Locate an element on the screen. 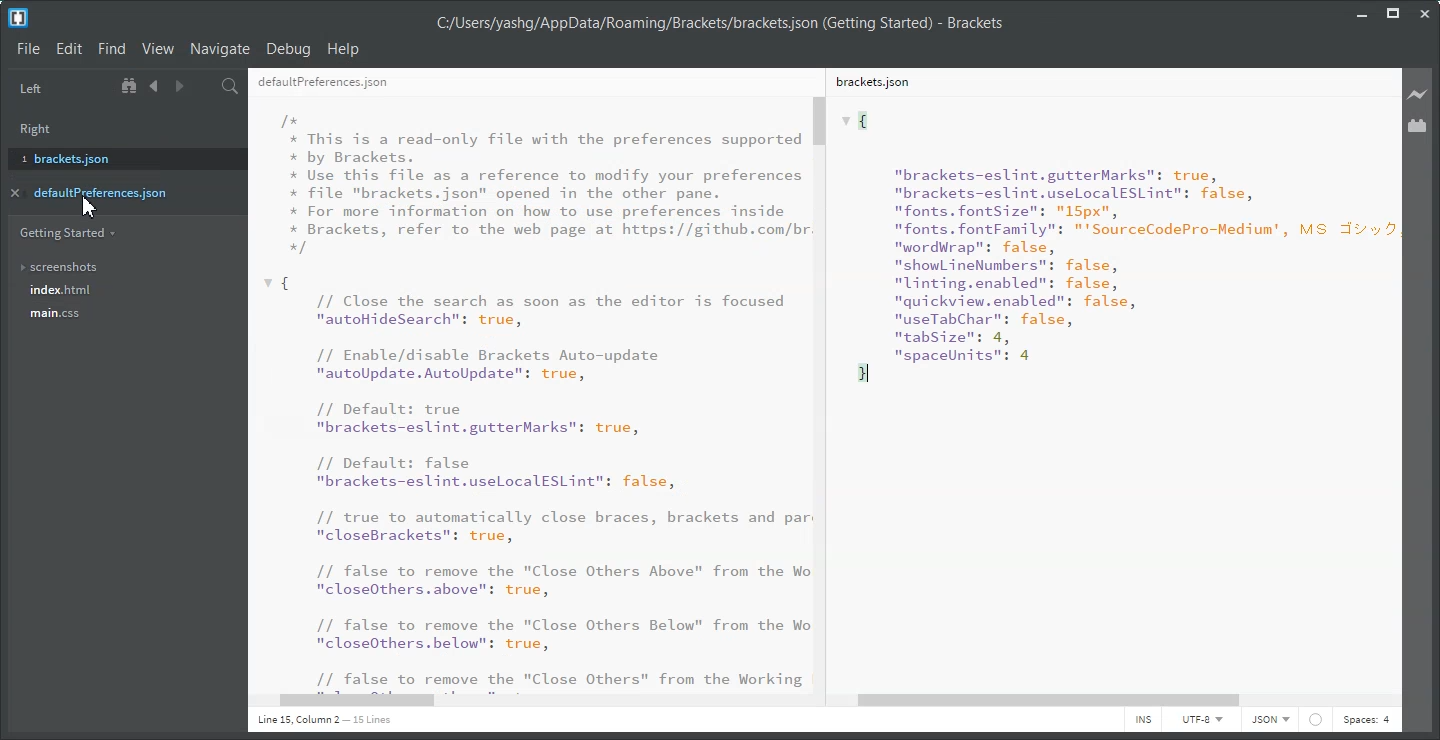  Left Panel is located at coordinates (30, 89).